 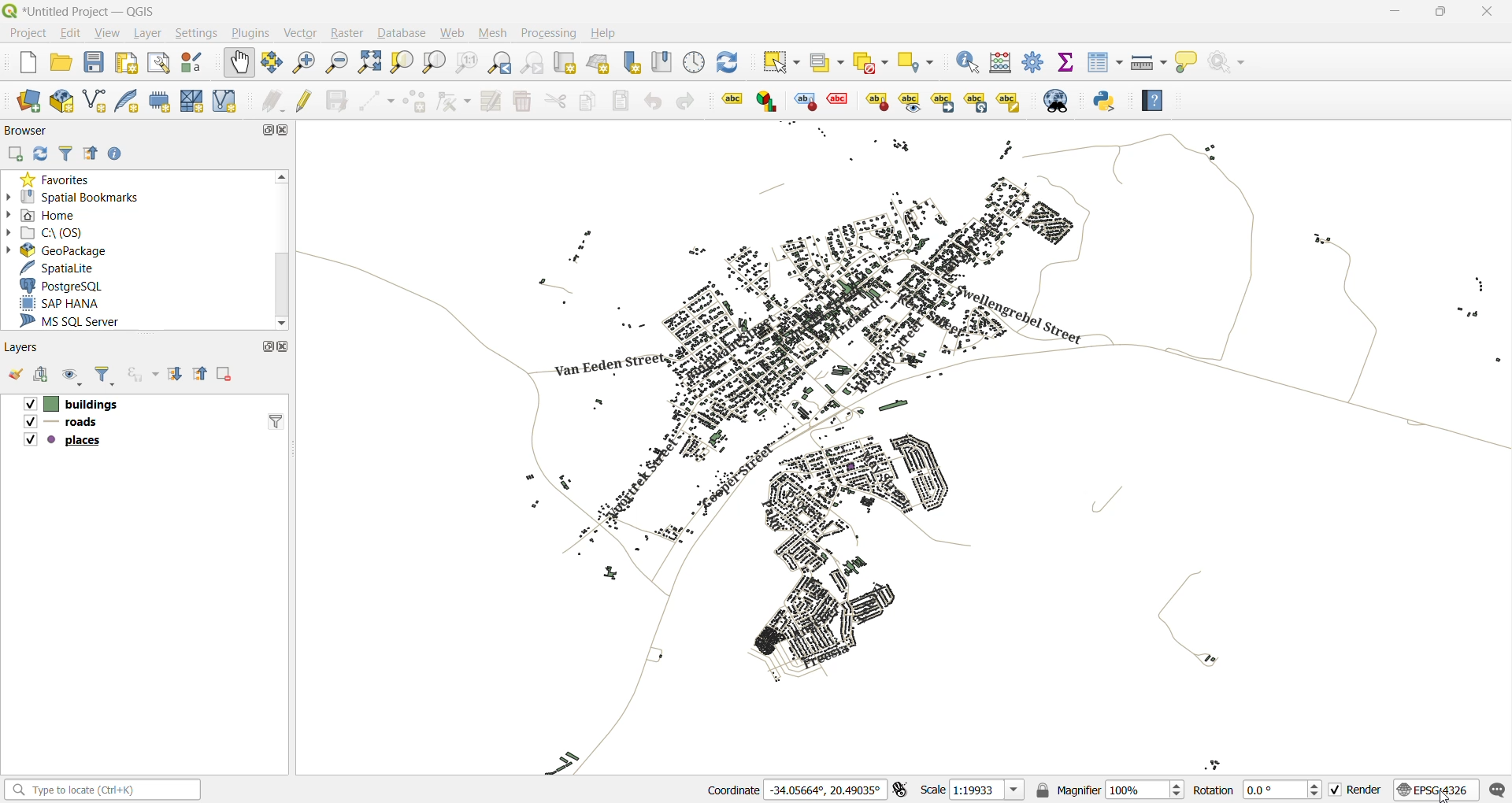 I want to click on undo, so click(x=656, y=104).